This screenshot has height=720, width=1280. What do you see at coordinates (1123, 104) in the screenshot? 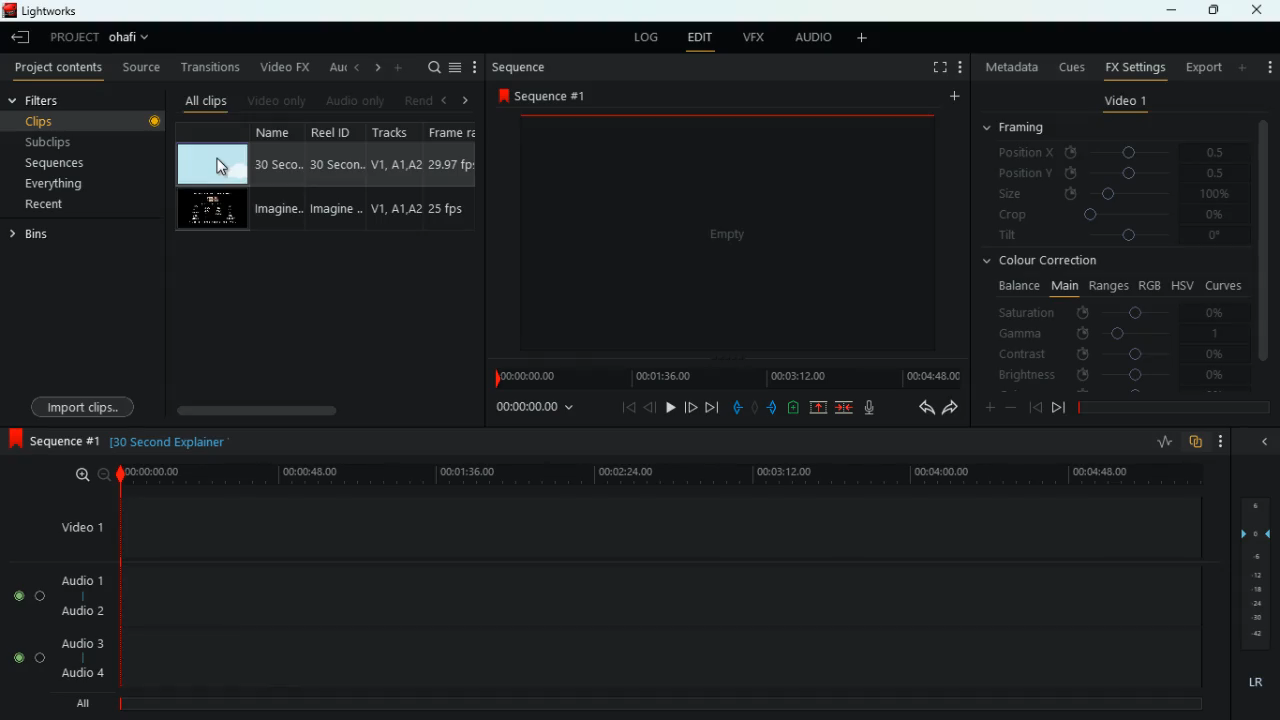
I see `video 1` at bounding box center [1123, 104].